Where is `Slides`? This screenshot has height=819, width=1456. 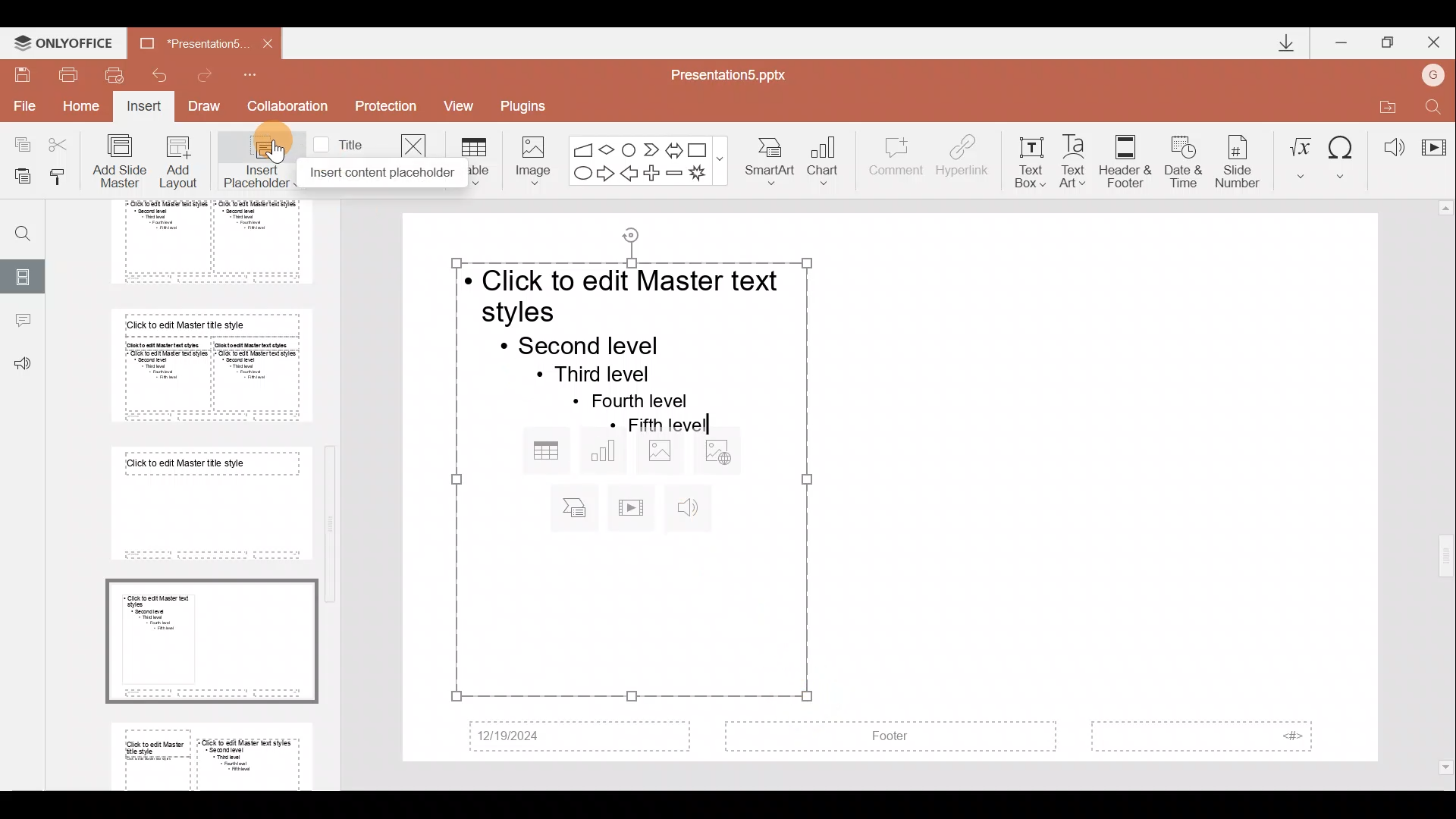 Slides is located at coordinates (24, 275).